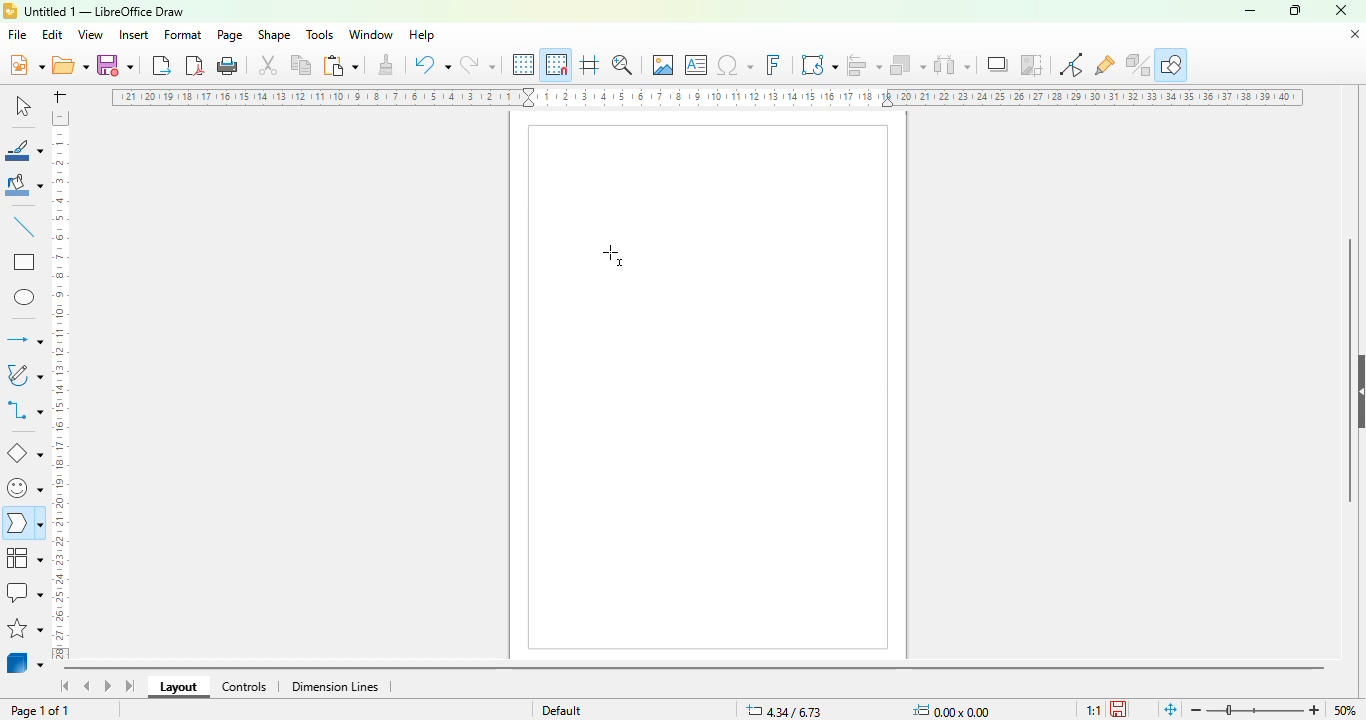 Image resolution: width=1366 pixels, height=720 pixels. I want to click on print, so click(228, 66).